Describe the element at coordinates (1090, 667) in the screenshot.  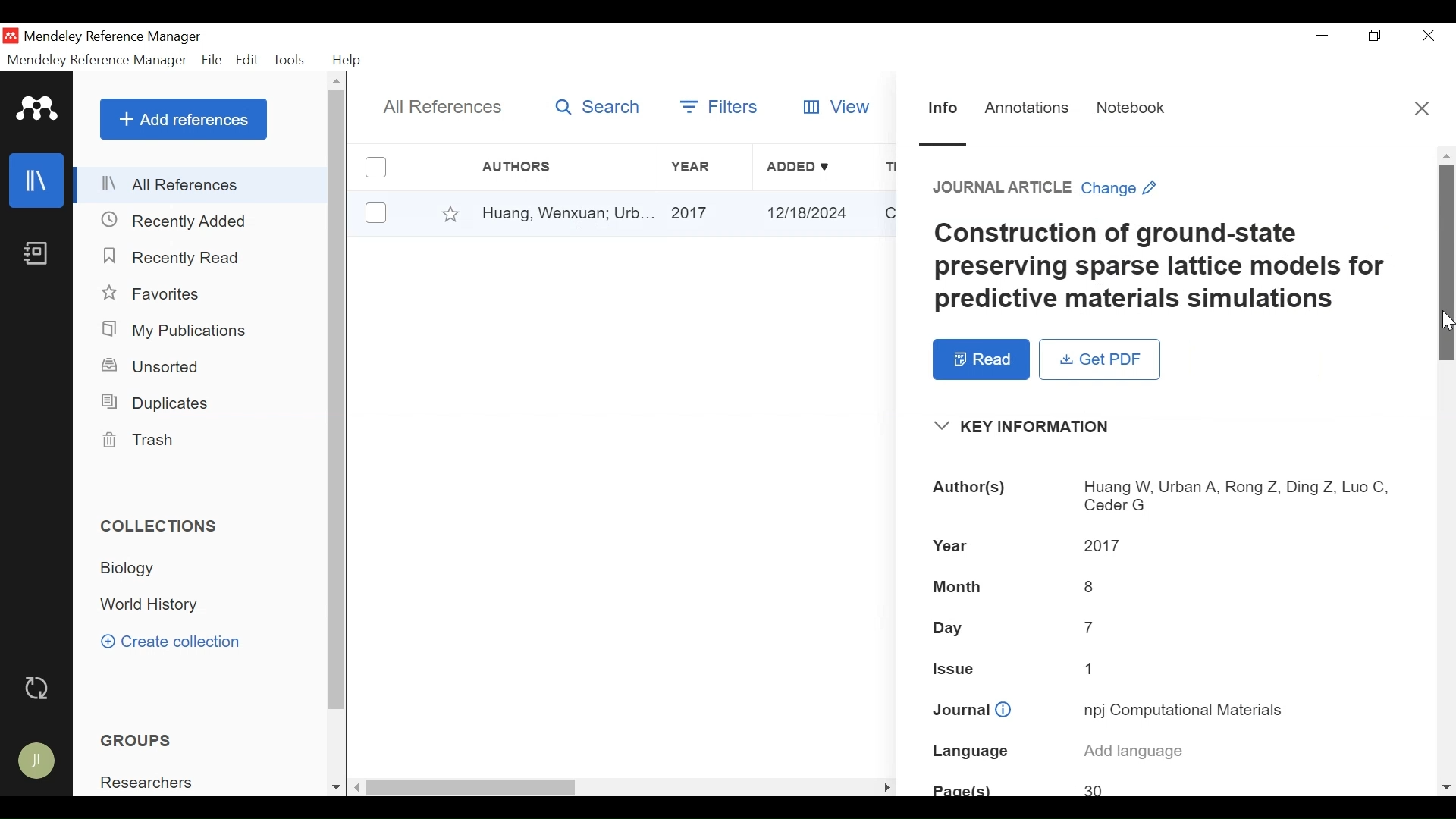
I see `1` at that location.